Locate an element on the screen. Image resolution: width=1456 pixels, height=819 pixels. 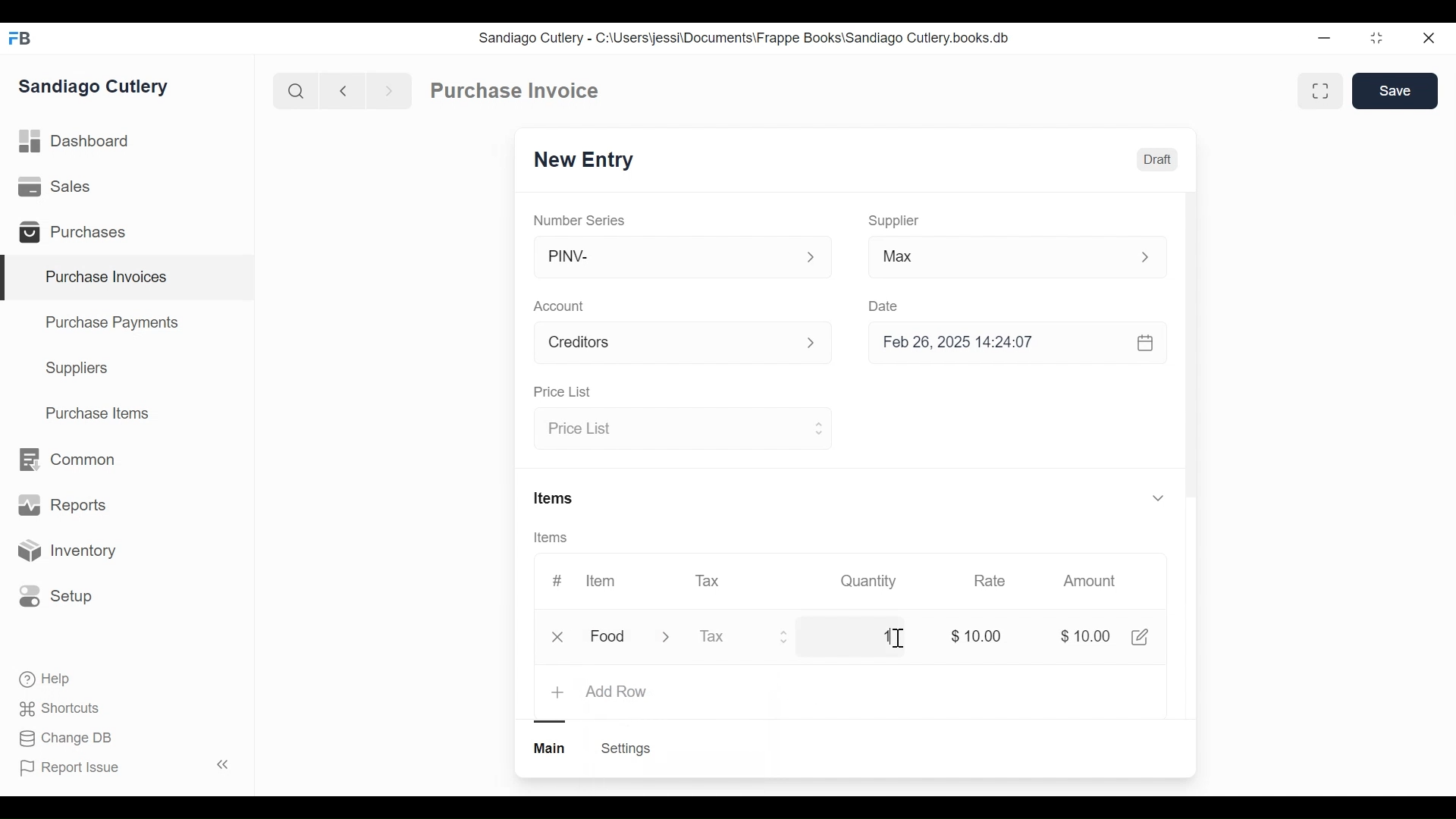
Items is located at coordinates (556, 538).